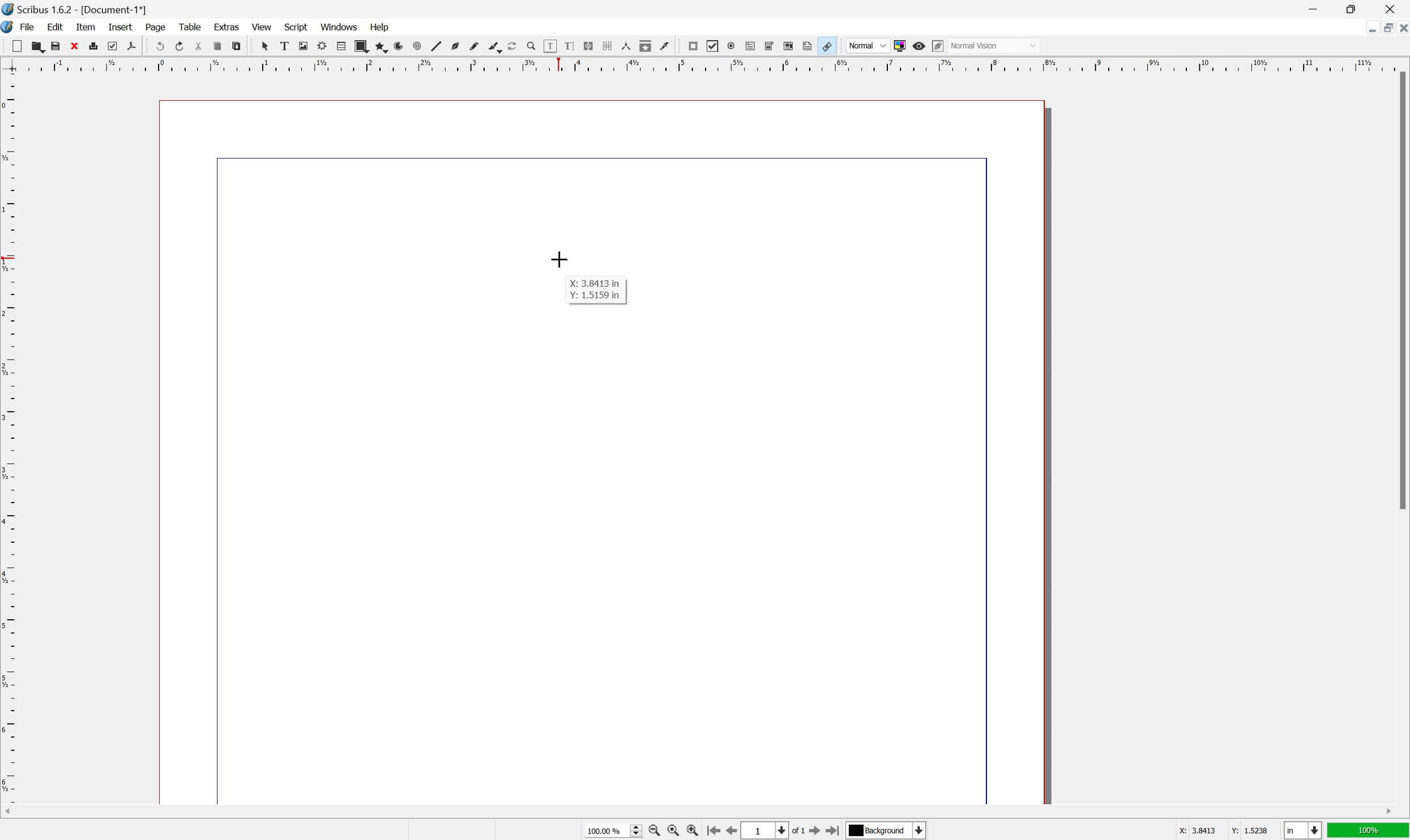 The height and width of the screenshot is (840, 1410). I want to click on close, so click(1401, 30).